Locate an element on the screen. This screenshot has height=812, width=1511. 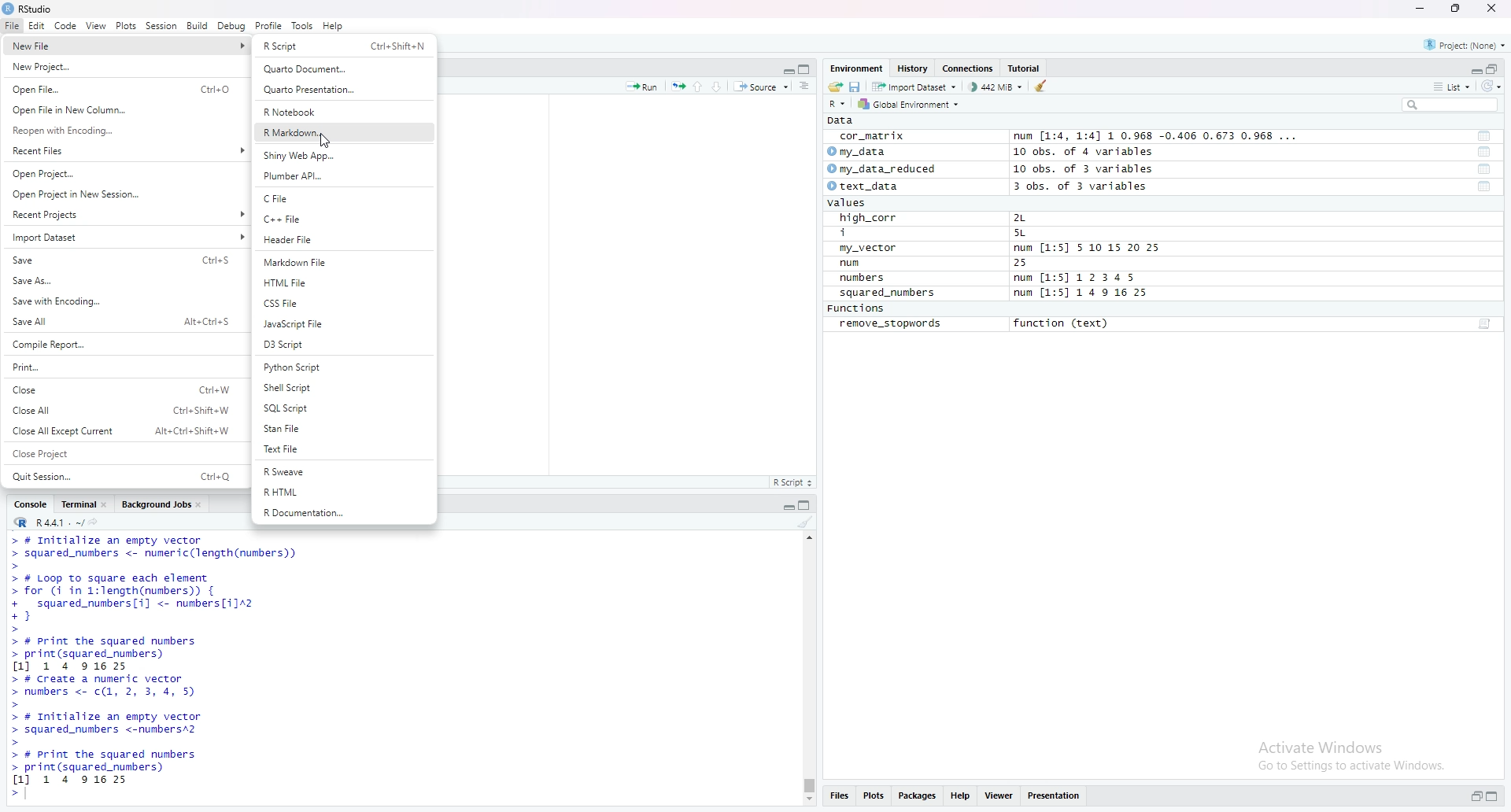
minimize is located at coordinates (1472, 798).